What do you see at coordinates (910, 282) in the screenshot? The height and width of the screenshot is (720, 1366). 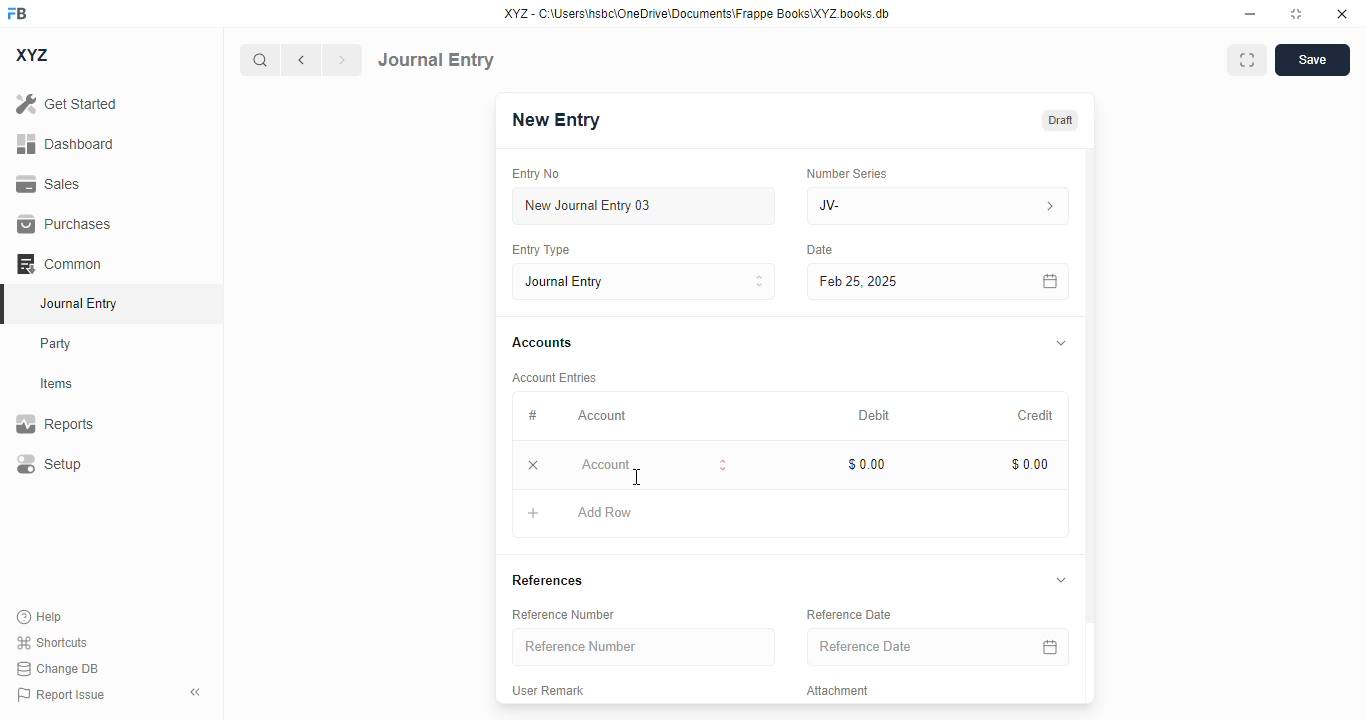 I see `feb 25, 2025` at bounding box center [910, 282].